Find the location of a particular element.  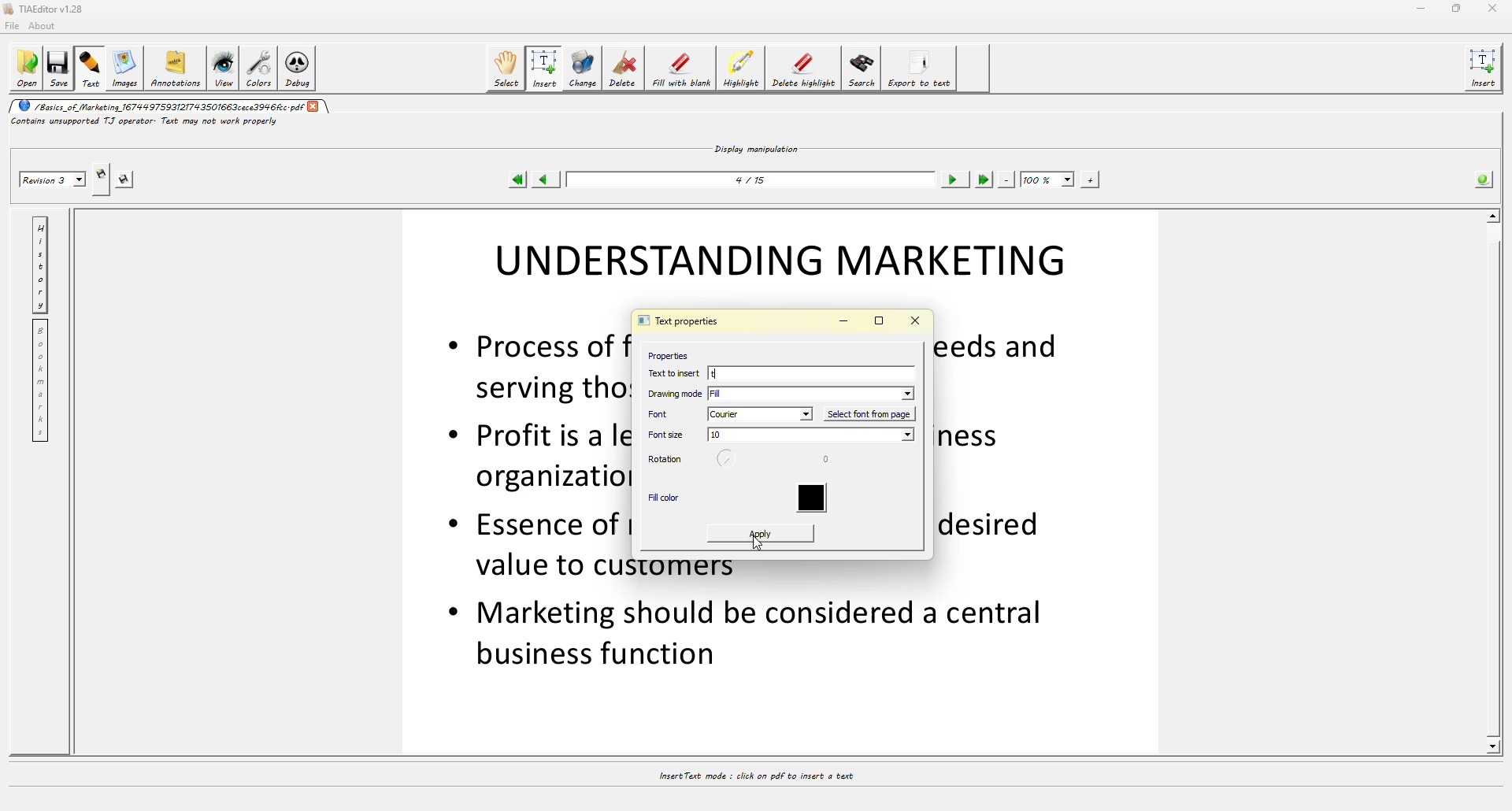

font is located at coordinates (667, 413).